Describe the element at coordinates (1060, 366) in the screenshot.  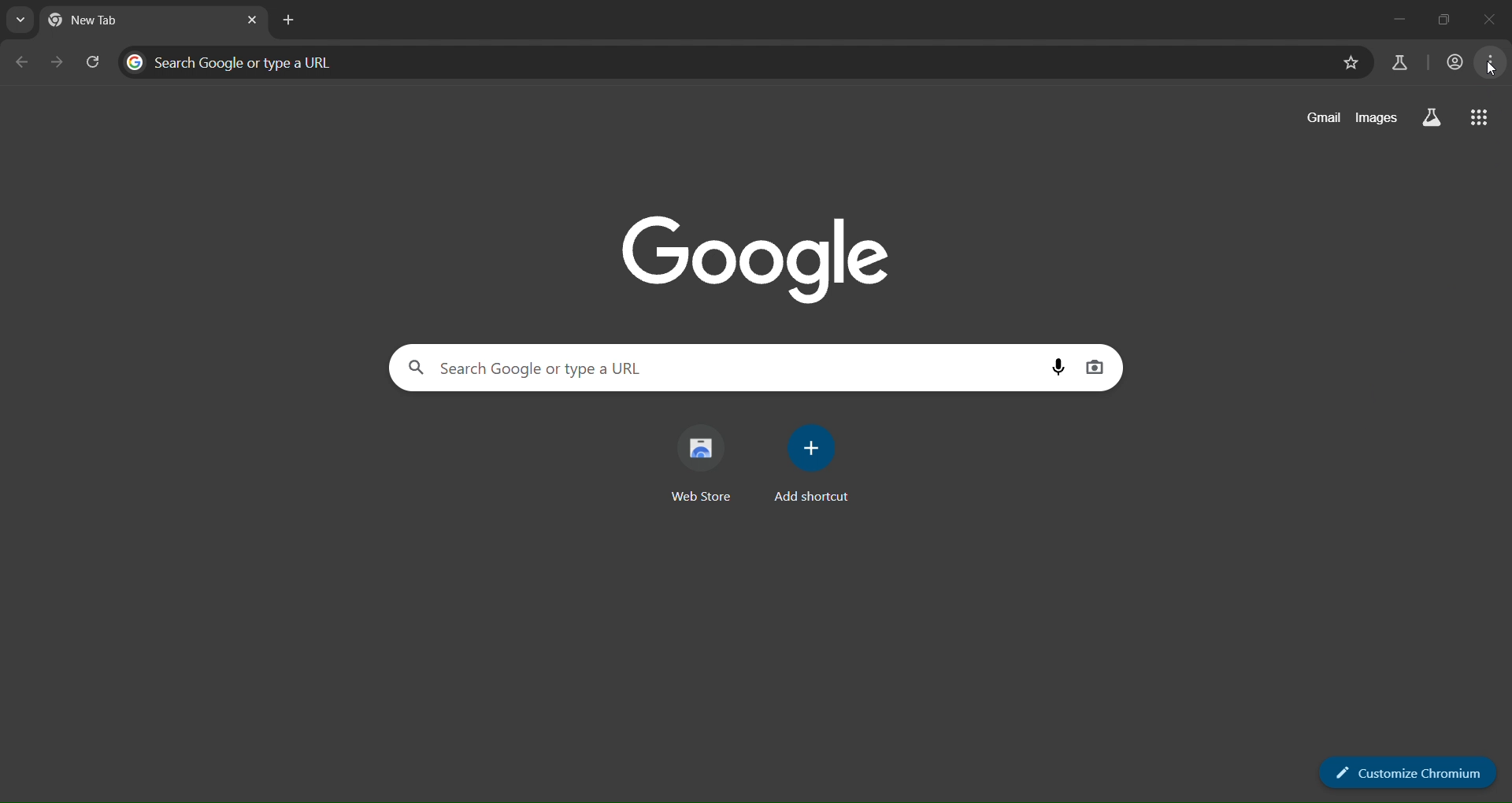
I see `voice search` at that location.